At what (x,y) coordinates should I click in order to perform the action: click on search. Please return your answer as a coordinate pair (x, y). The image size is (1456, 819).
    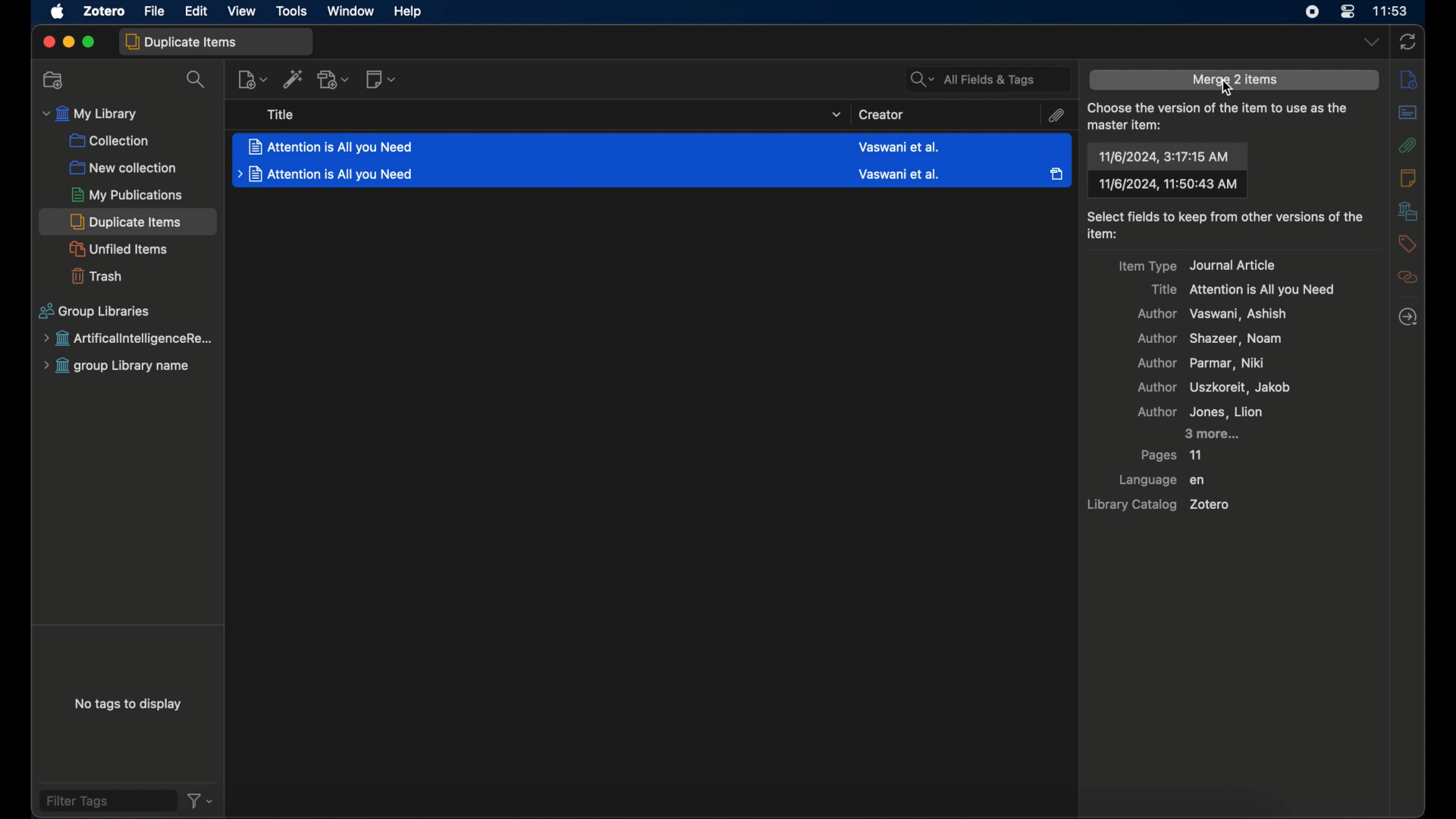
    Looking at the image, I should click on (198, 81).